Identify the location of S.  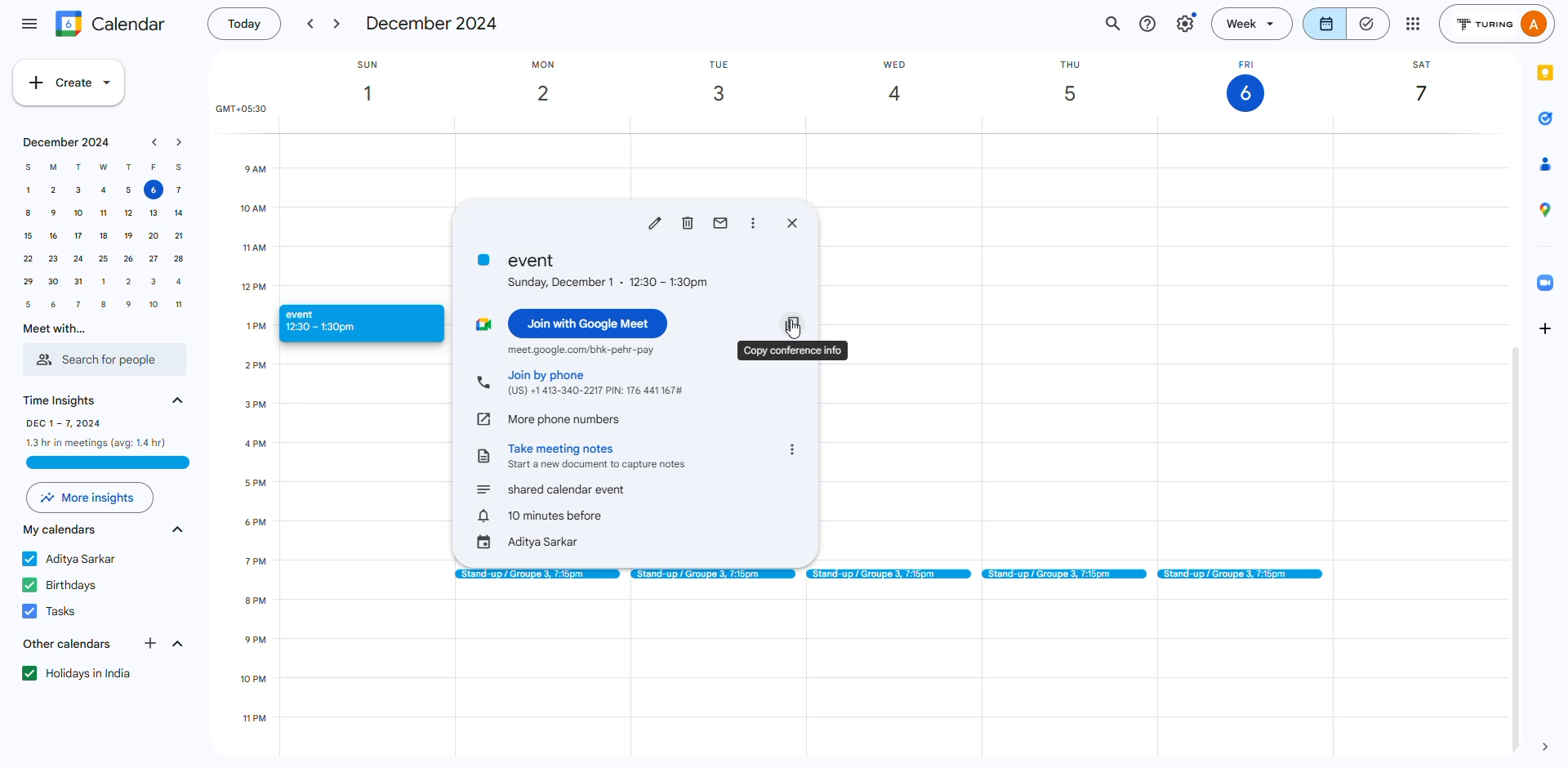
(29, 167).